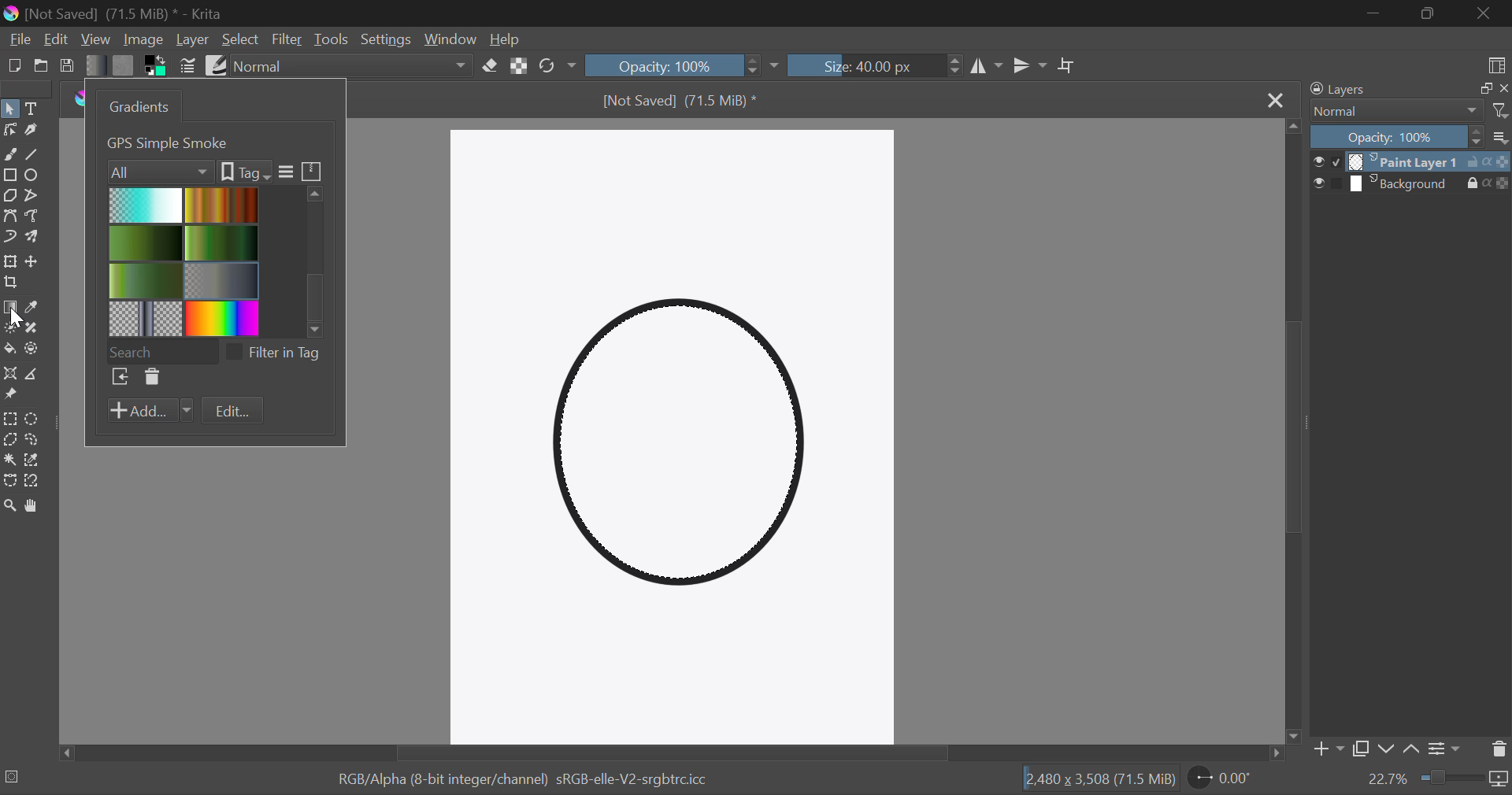 This screenshot has width=1512, height=795. Describe the element at coordinates (1501, 782) in the screenshot. I see `icon` at that location.